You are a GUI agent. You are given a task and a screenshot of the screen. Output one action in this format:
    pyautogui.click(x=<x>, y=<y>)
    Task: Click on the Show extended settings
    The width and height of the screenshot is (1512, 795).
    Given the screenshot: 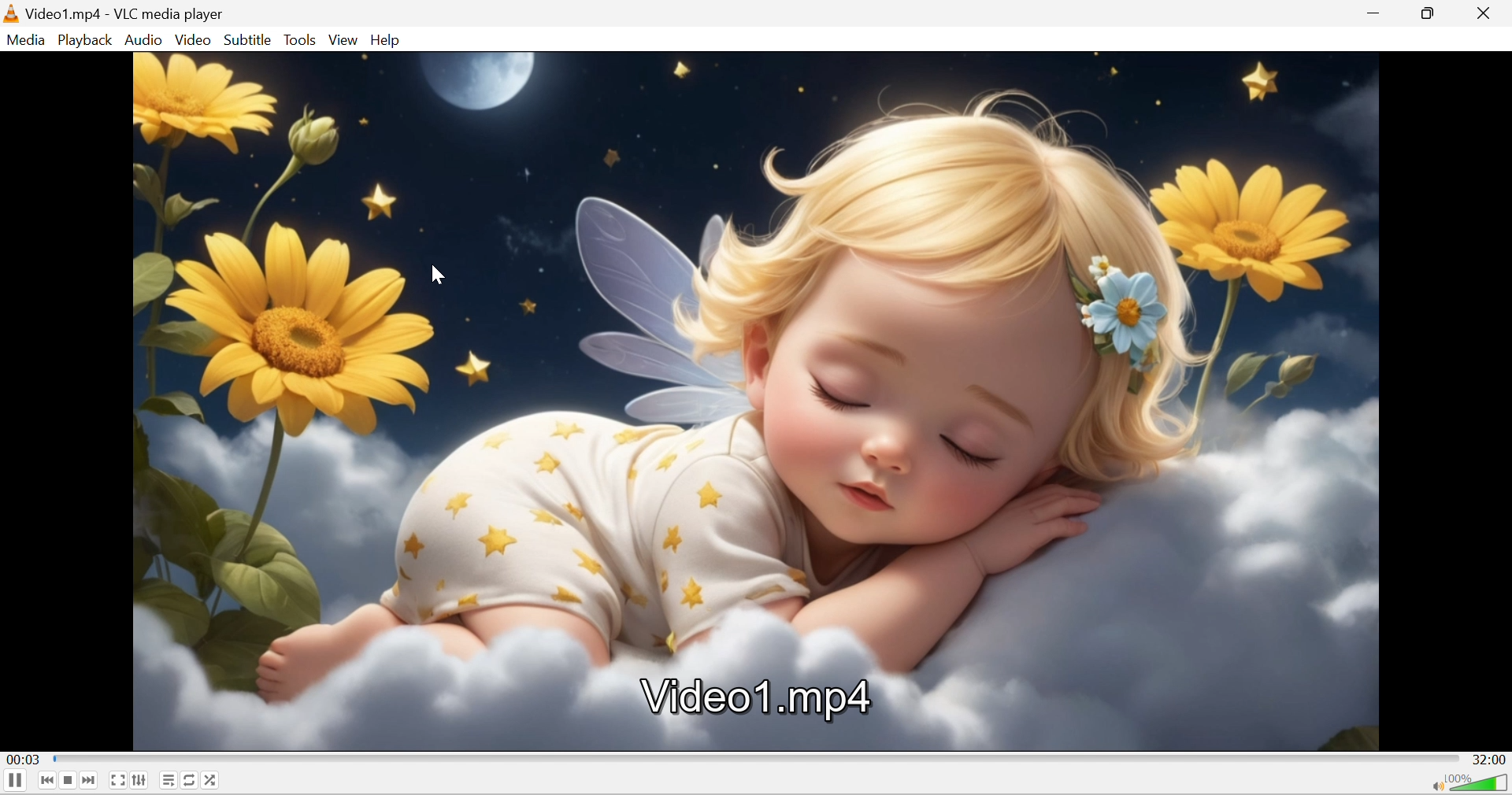 What is the action you would take?
    pyautogui.click(x=141, y=780)
    